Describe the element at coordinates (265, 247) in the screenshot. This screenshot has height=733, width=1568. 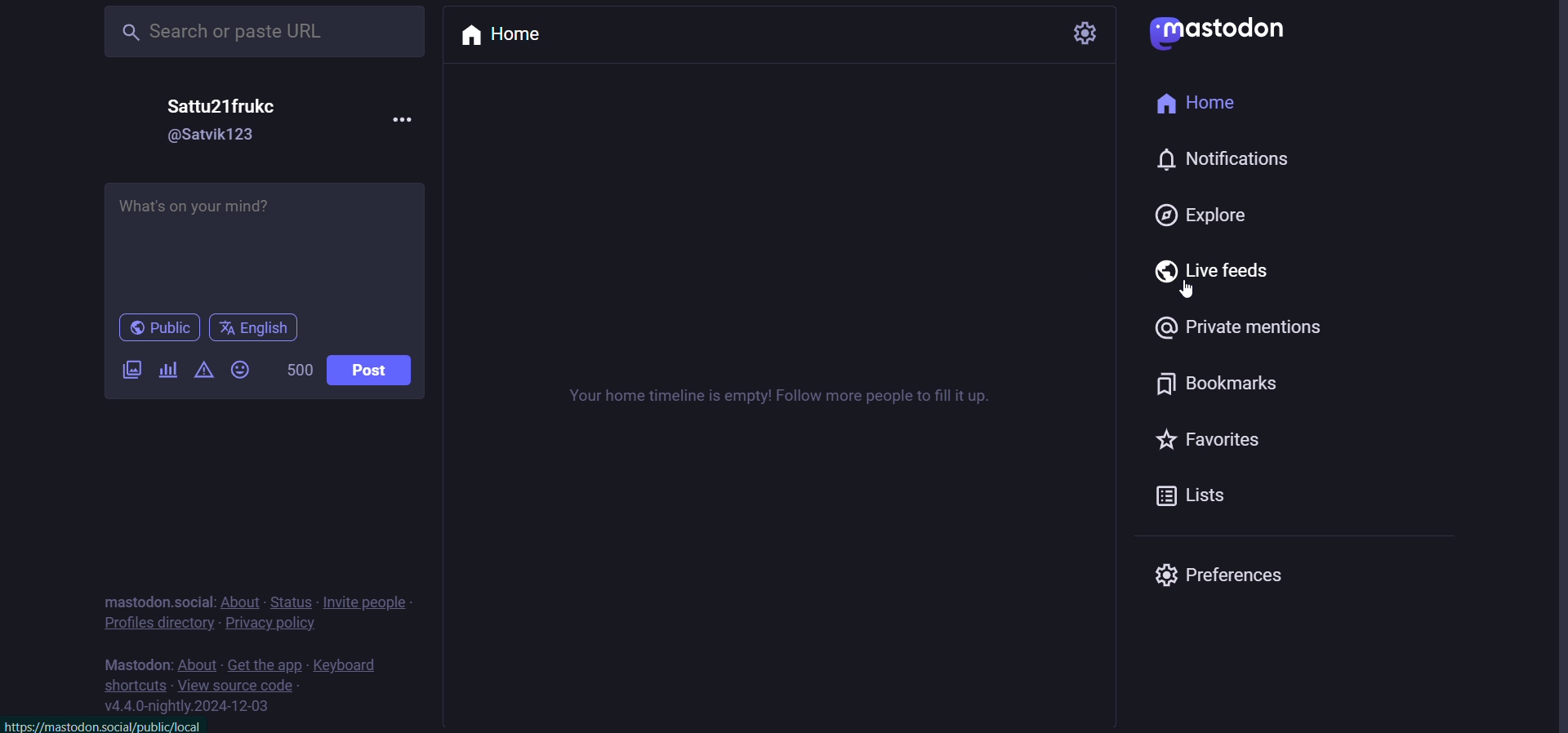
I see `What's on your mind?` at that location.